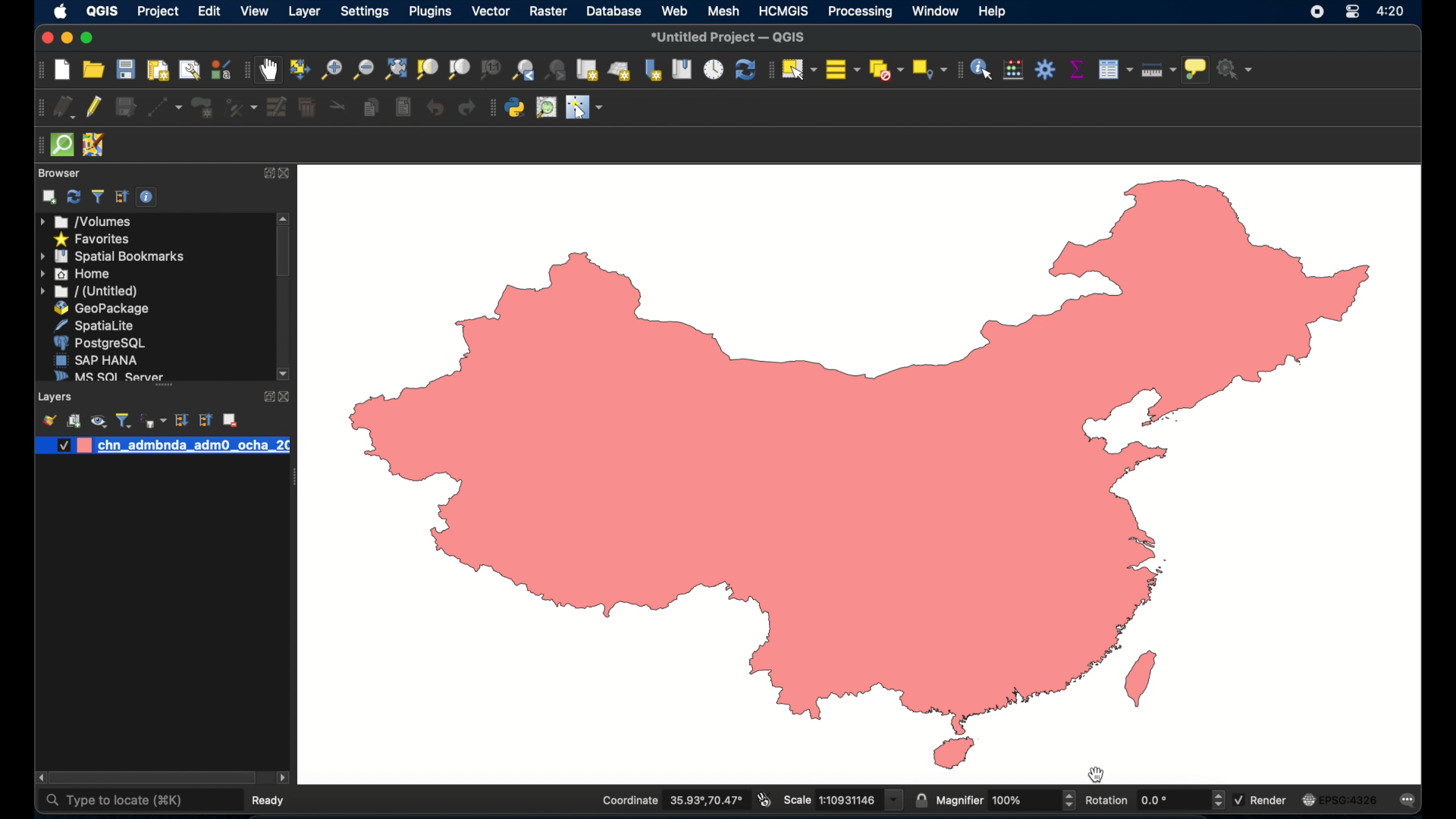 The height and width of the screenshot is (819, 1456). Describe the element at coordinates (585, 107) in the screenshot. I see `switched mouse to configurable pointer` at that location.